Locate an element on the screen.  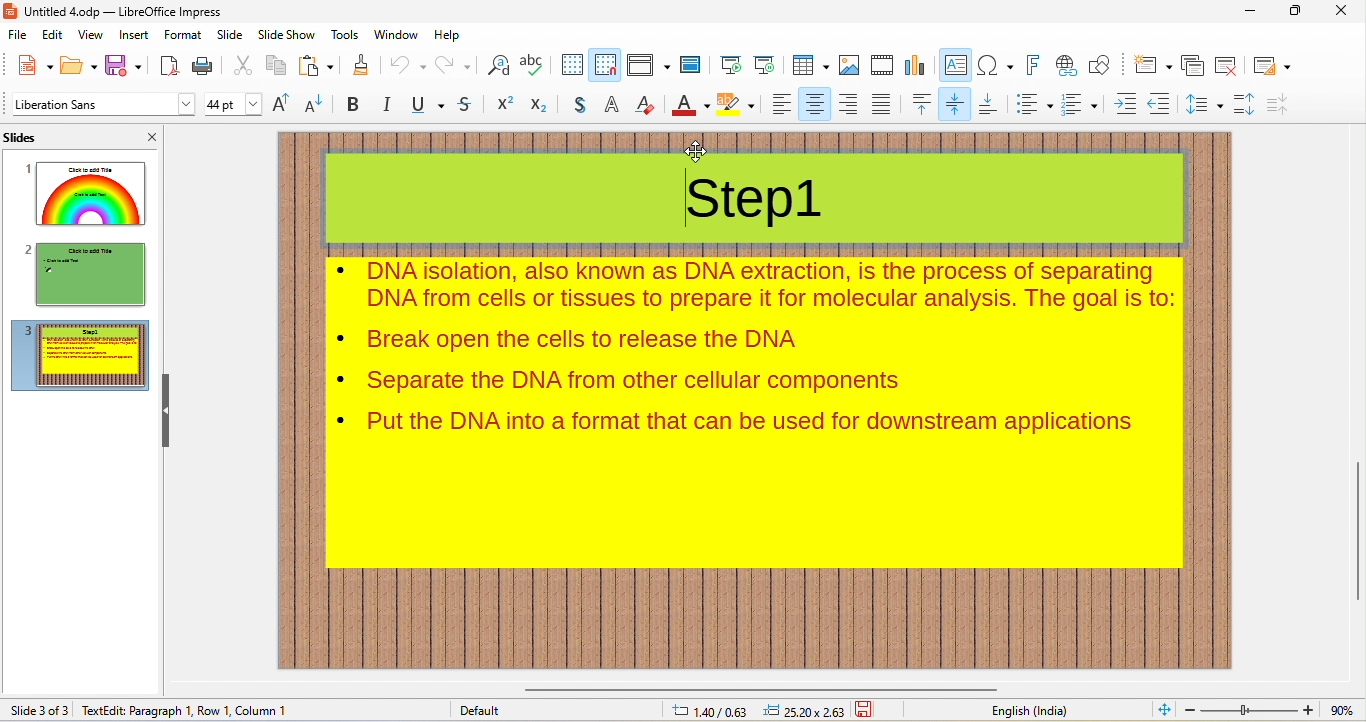
new slide is located at coordinates (1153, 65).